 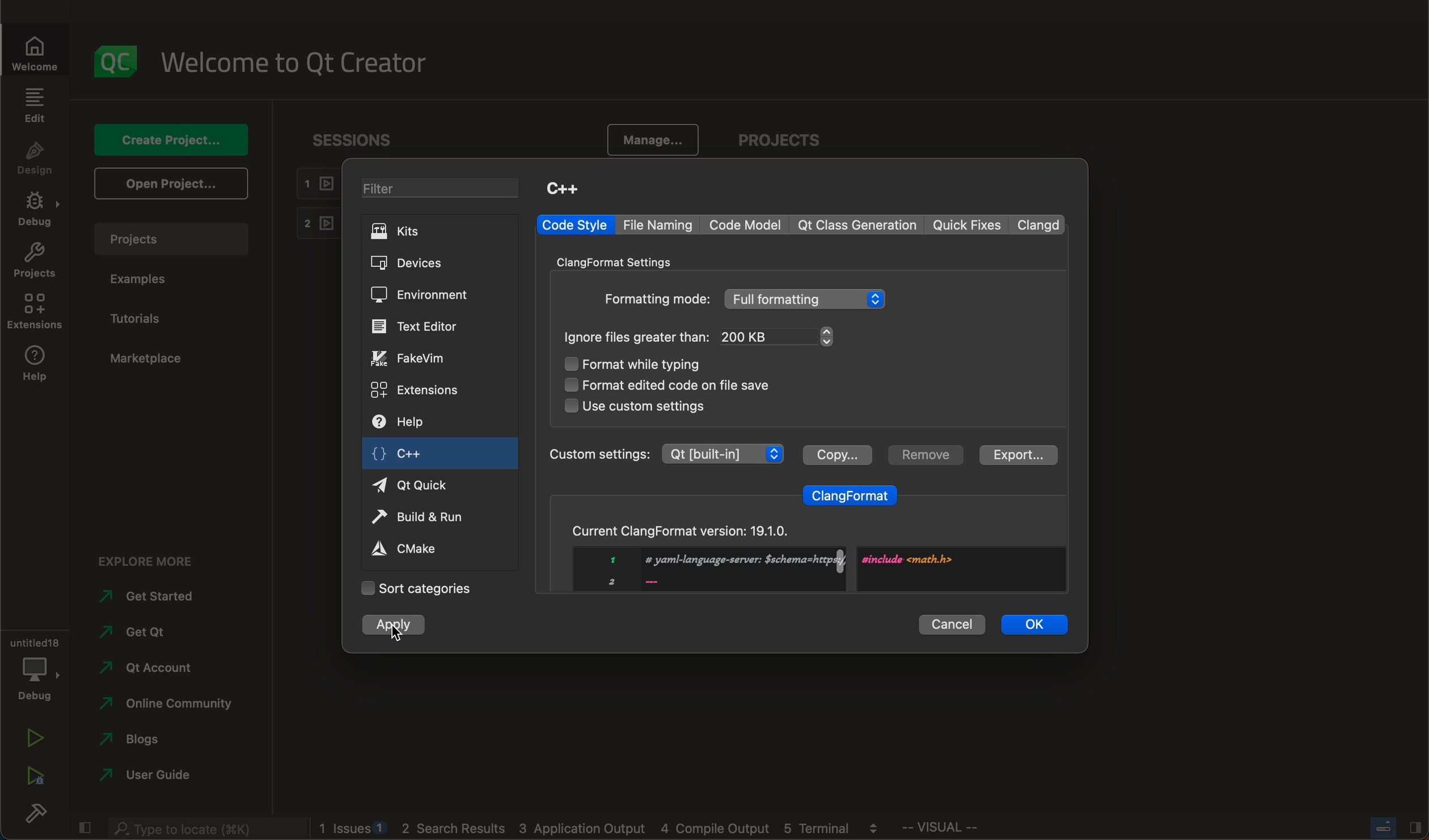 What do you see at coordinates (419, 295) in the screenshot?
I see `environment` at bounding box center [419, 295].